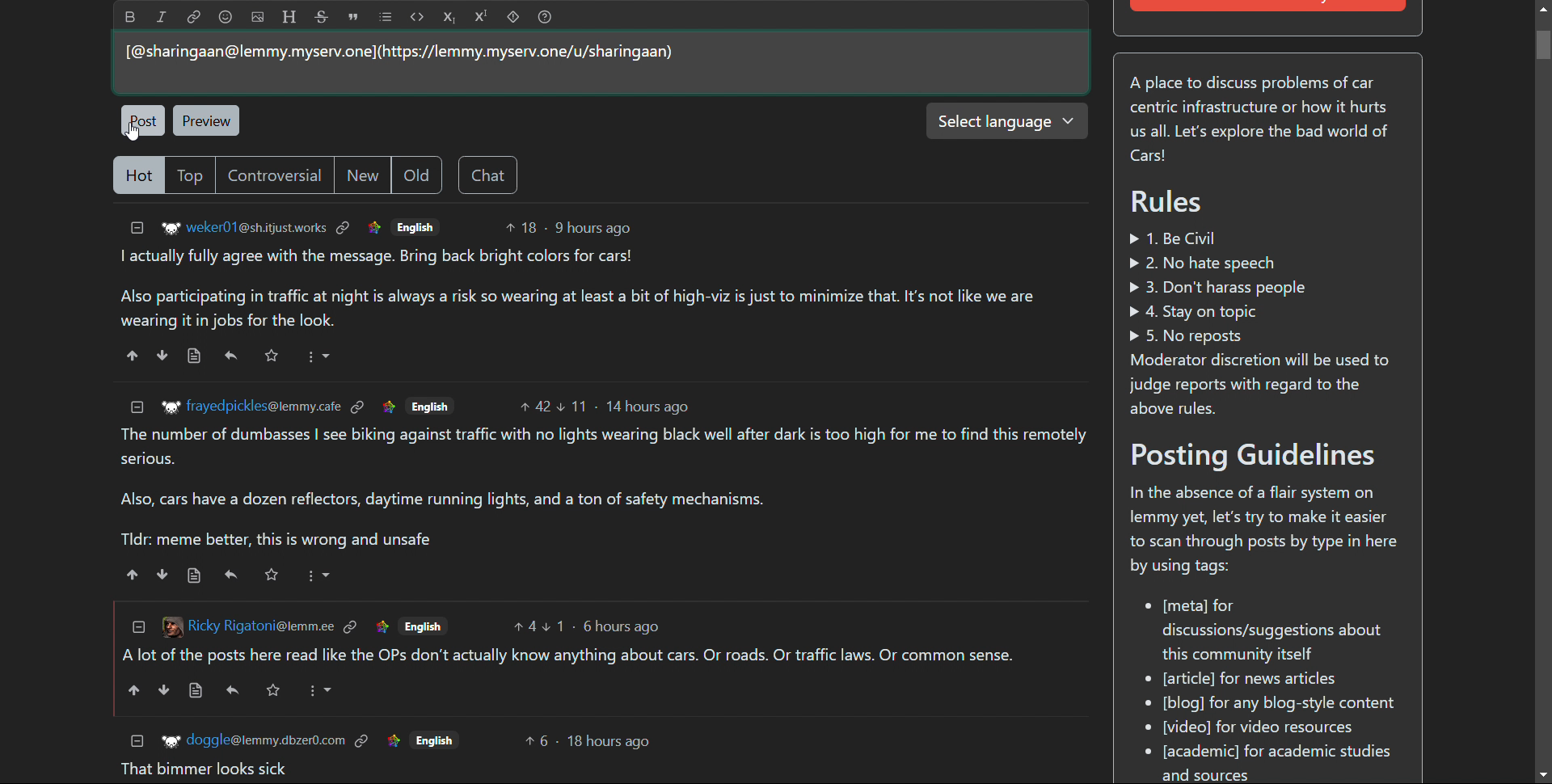  Describe the element at coordinates (647, 407) in the screenshot. I see `14 hours ago` at that location.